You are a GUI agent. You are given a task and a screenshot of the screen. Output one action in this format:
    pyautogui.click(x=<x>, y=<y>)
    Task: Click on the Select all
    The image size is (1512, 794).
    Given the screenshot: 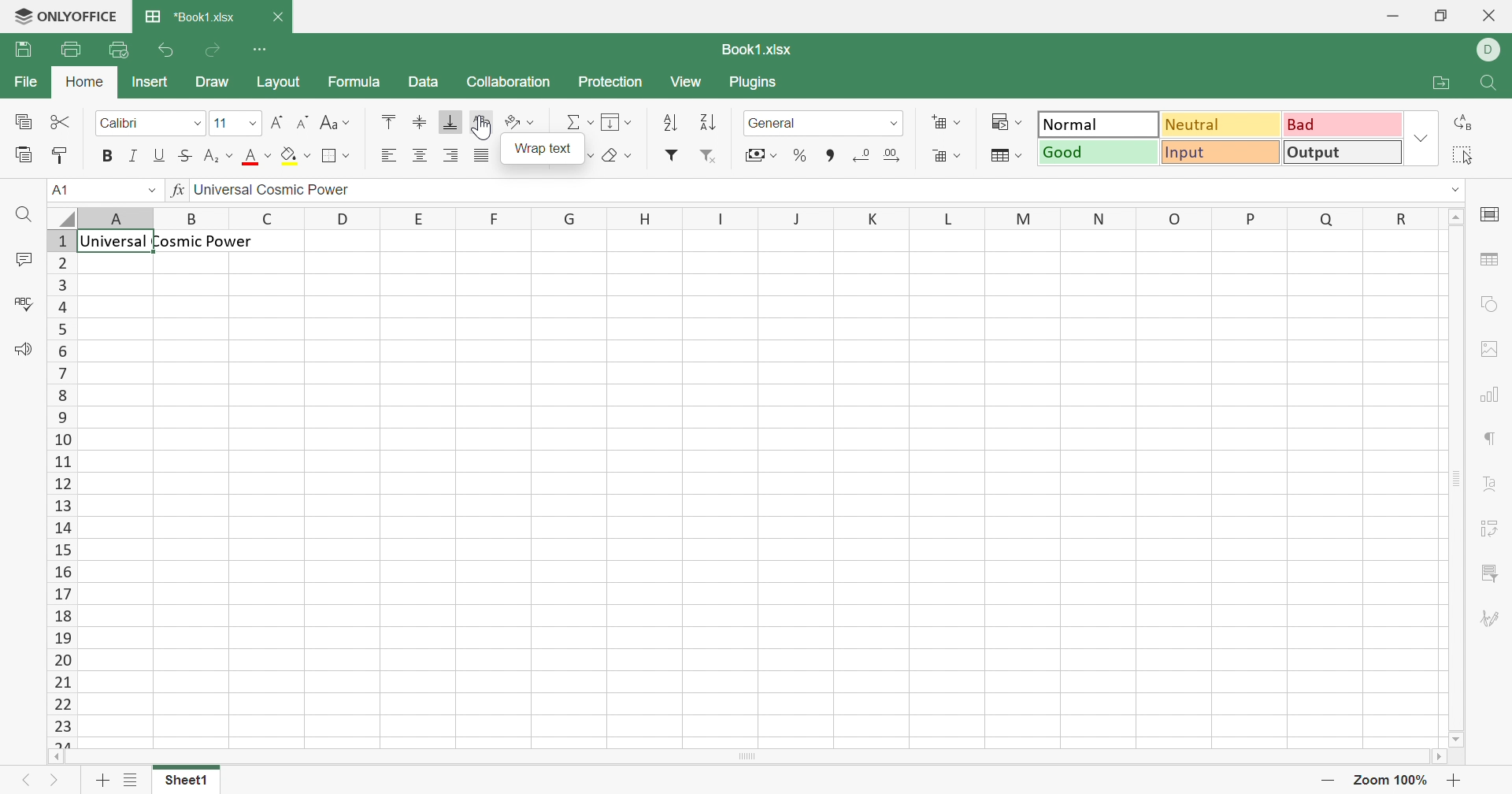 What is the action you would take?
    pyautogui.click(x=1467, y=154)
    